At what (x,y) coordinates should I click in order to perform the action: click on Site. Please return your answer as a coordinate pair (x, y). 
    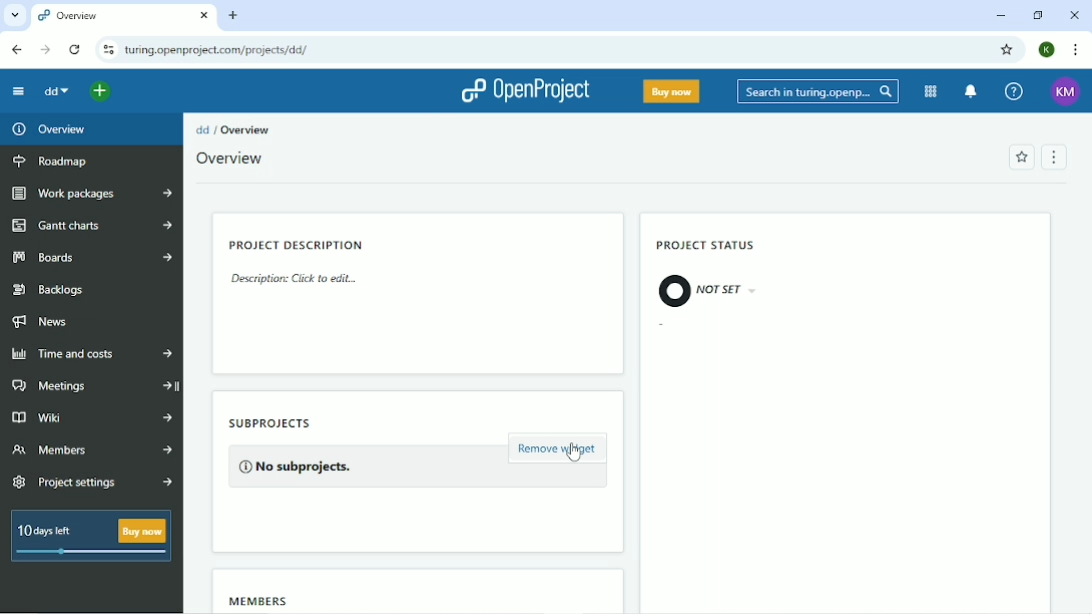
    Looking at the image, I should click on (216, 50).